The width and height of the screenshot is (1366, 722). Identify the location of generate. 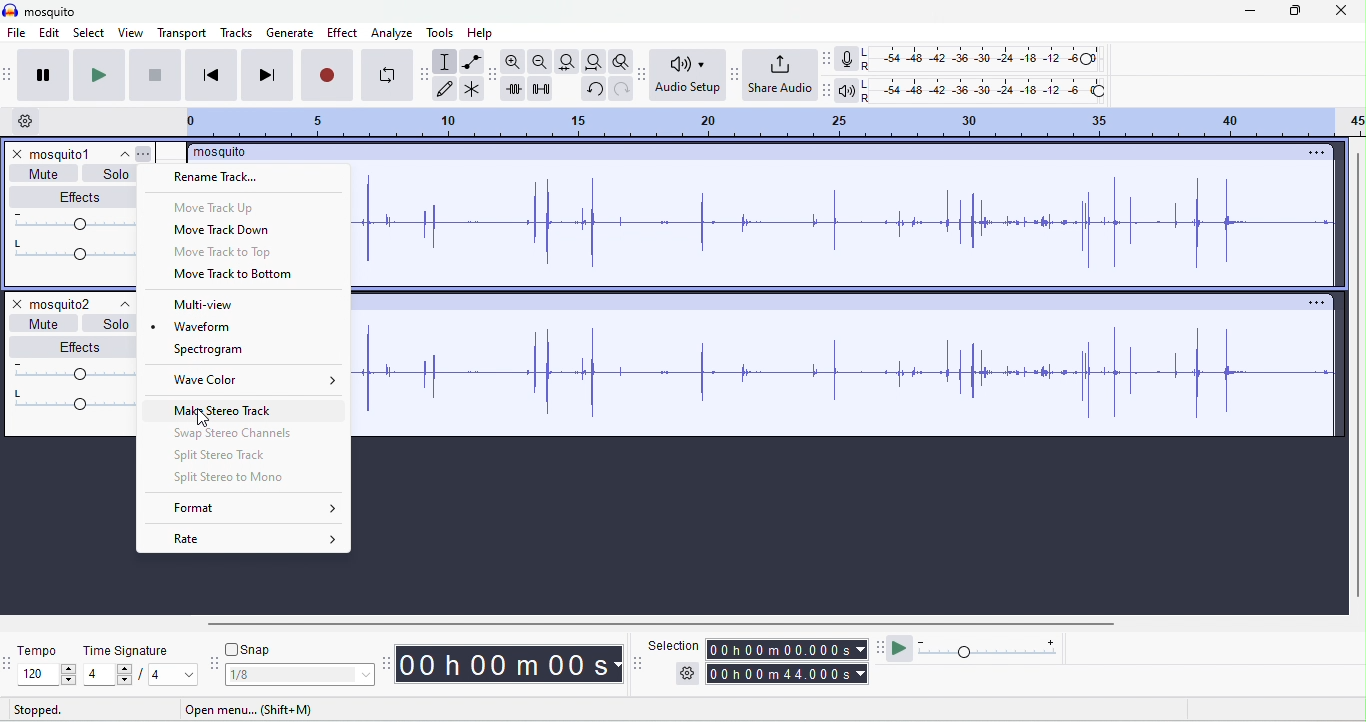
(292, 34).